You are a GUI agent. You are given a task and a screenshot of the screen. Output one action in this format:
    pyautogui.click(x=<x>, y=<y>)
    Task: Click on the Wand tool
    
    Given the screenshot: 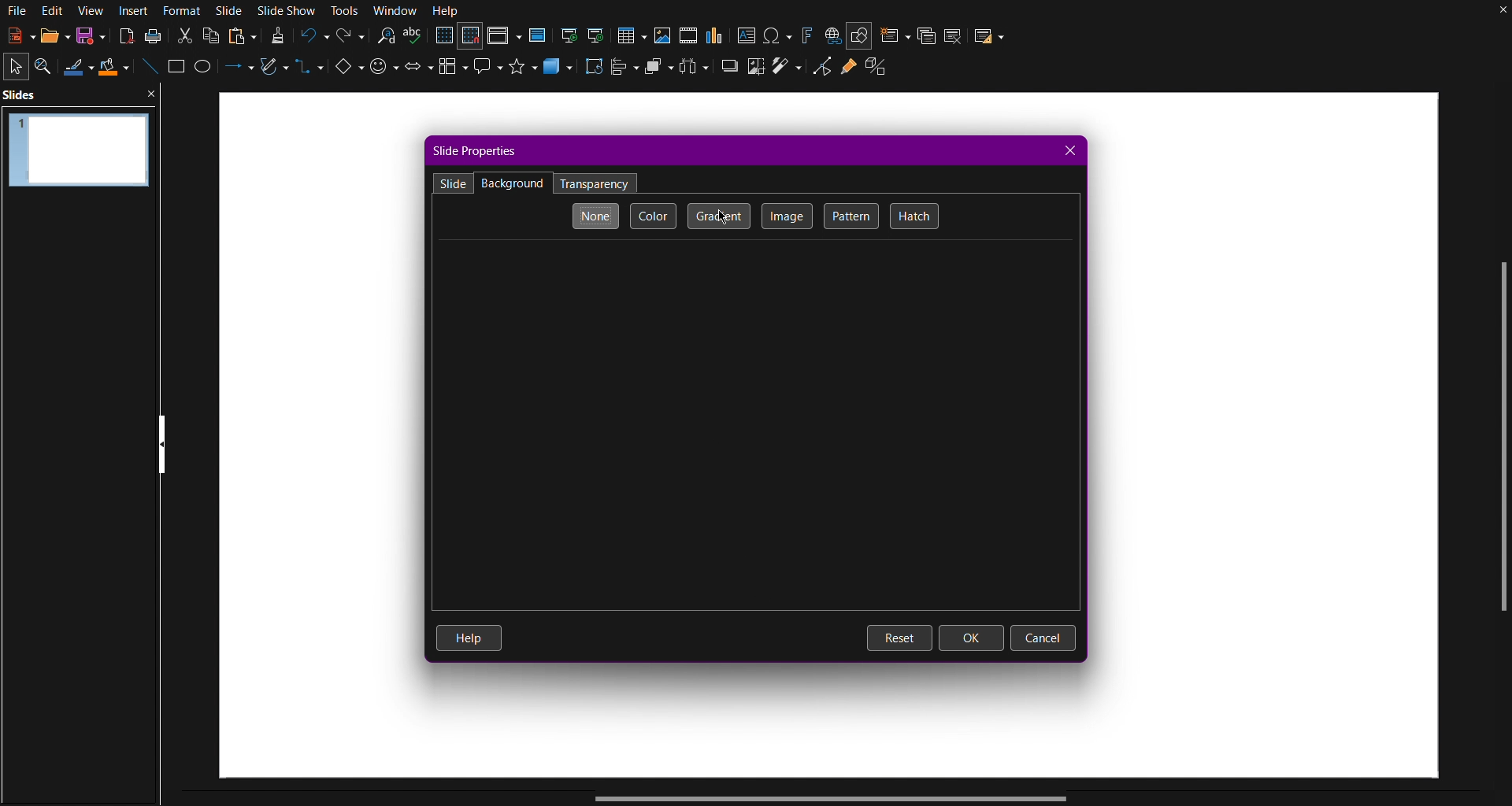 What is the action you would take?
    pyautogui.click(x=787, y=72)
    